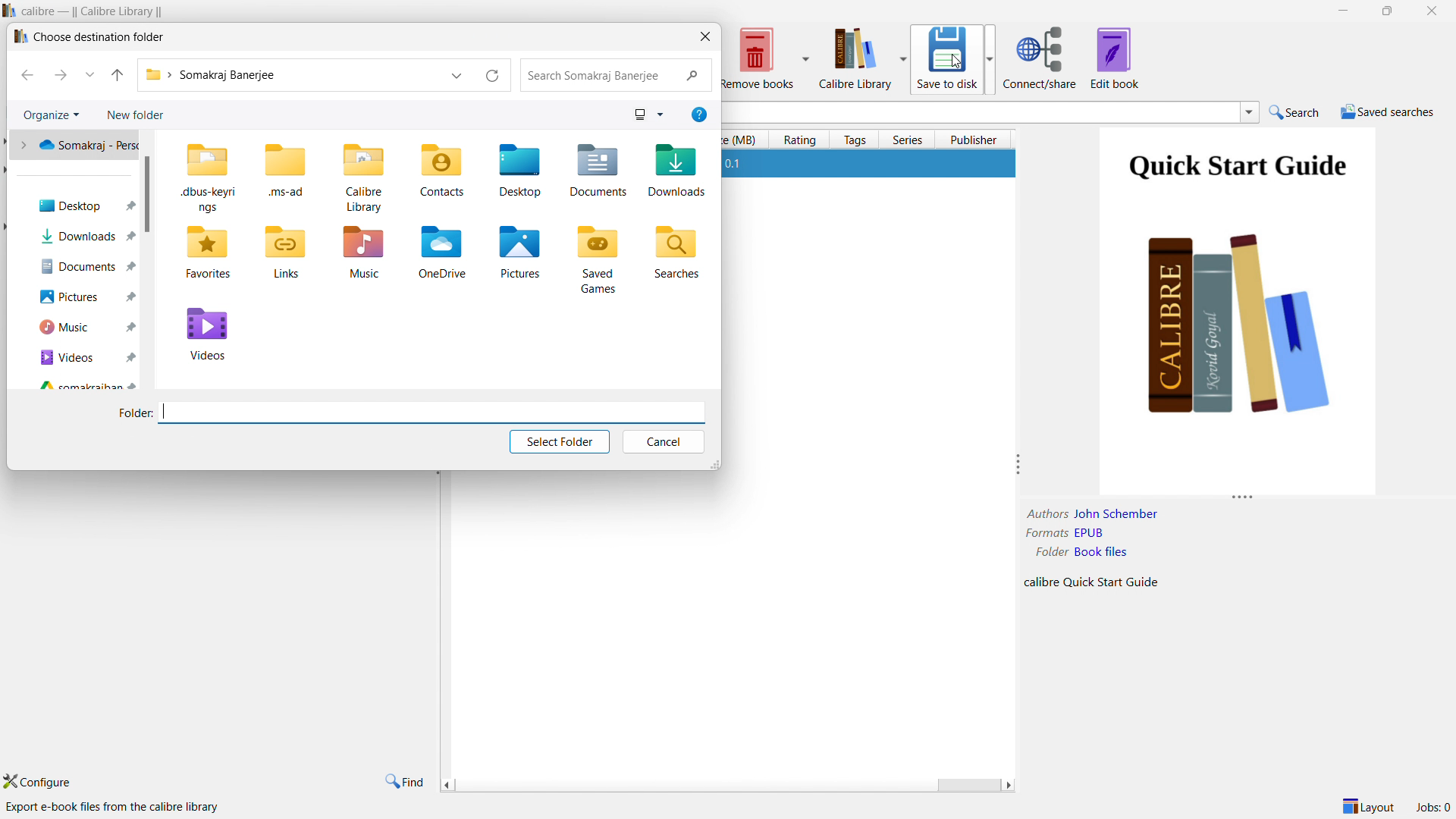 The width and height of the screenshot is (1456, 819). Describe the element at coordinates (1344, 9) in the screenshot. I see `minimize` at that location.